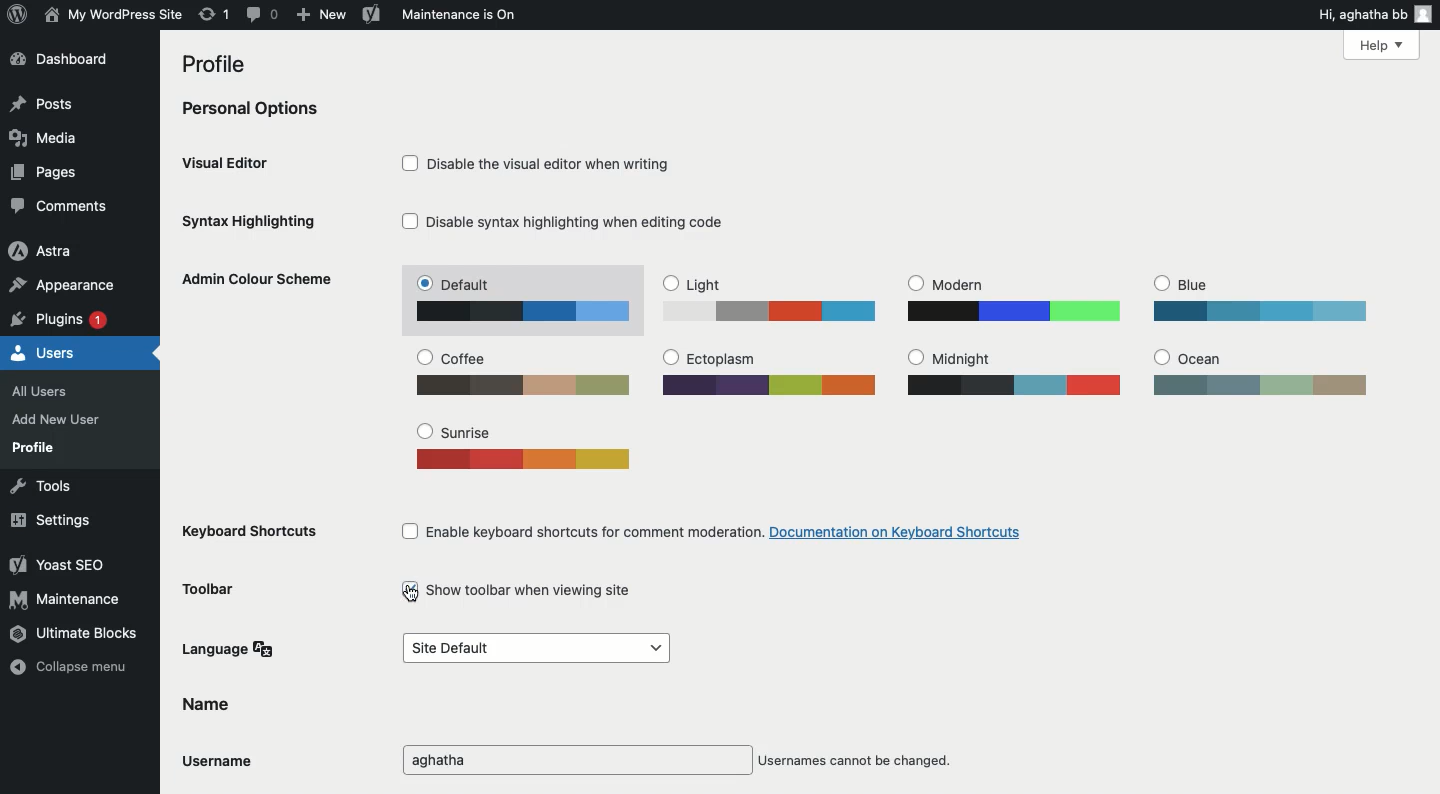 This screenshot has height=794, width=1440. Describe the element at coordinates (46, 391) in the screenshot. I see `All users` at that location.